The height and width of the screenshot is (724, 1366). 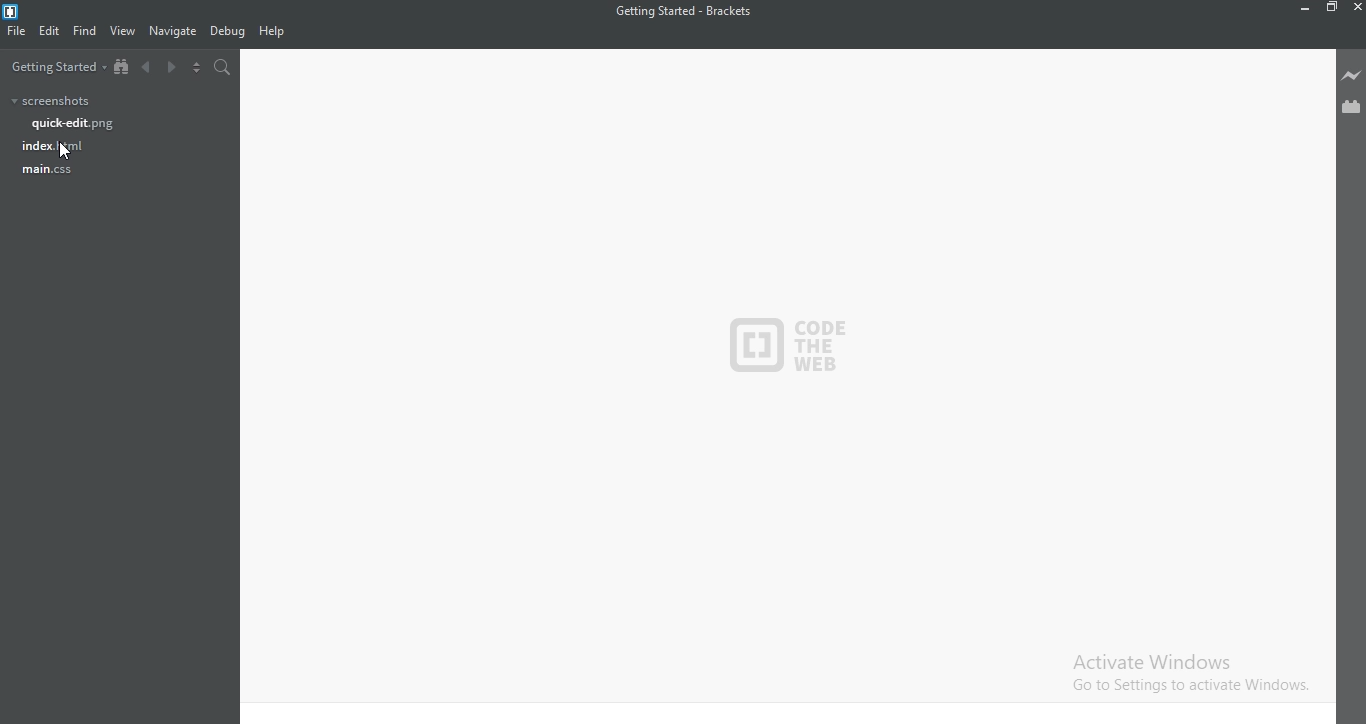 What do you see at coordinates (271, 31) in the screenshot?
I see `help` at bounding box center [271, 31].